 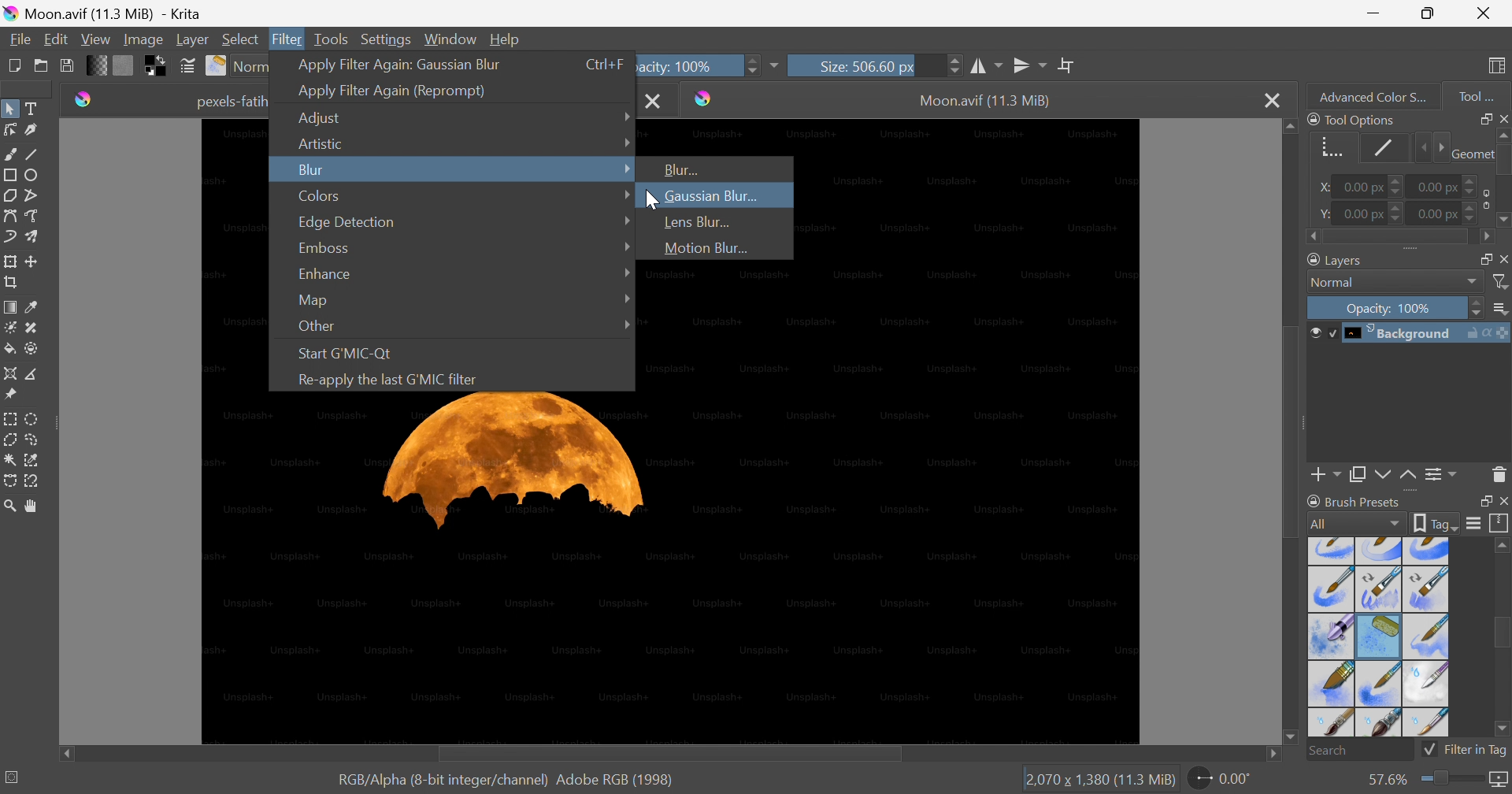 I want to click on Scroll bar, so click(x=1293, y=431).